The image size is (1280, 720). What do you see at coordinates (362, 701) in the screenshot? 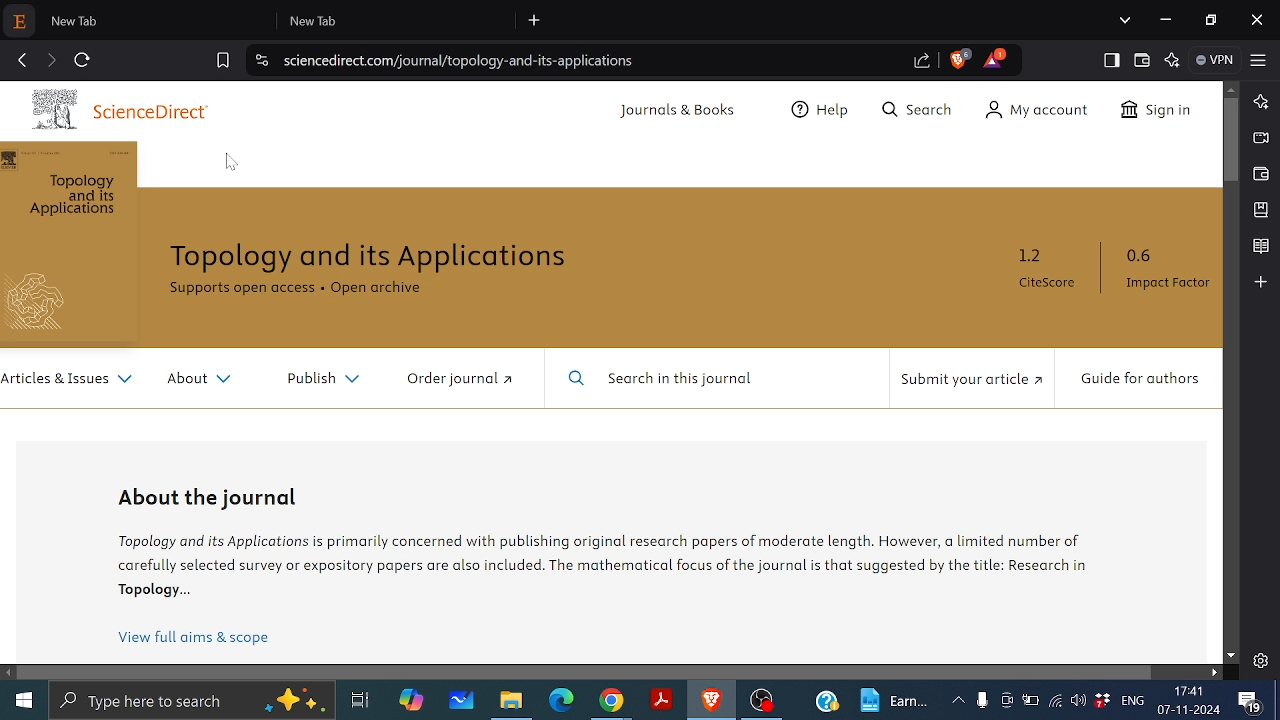
I see `Task View` at bounding box center [362, 701].